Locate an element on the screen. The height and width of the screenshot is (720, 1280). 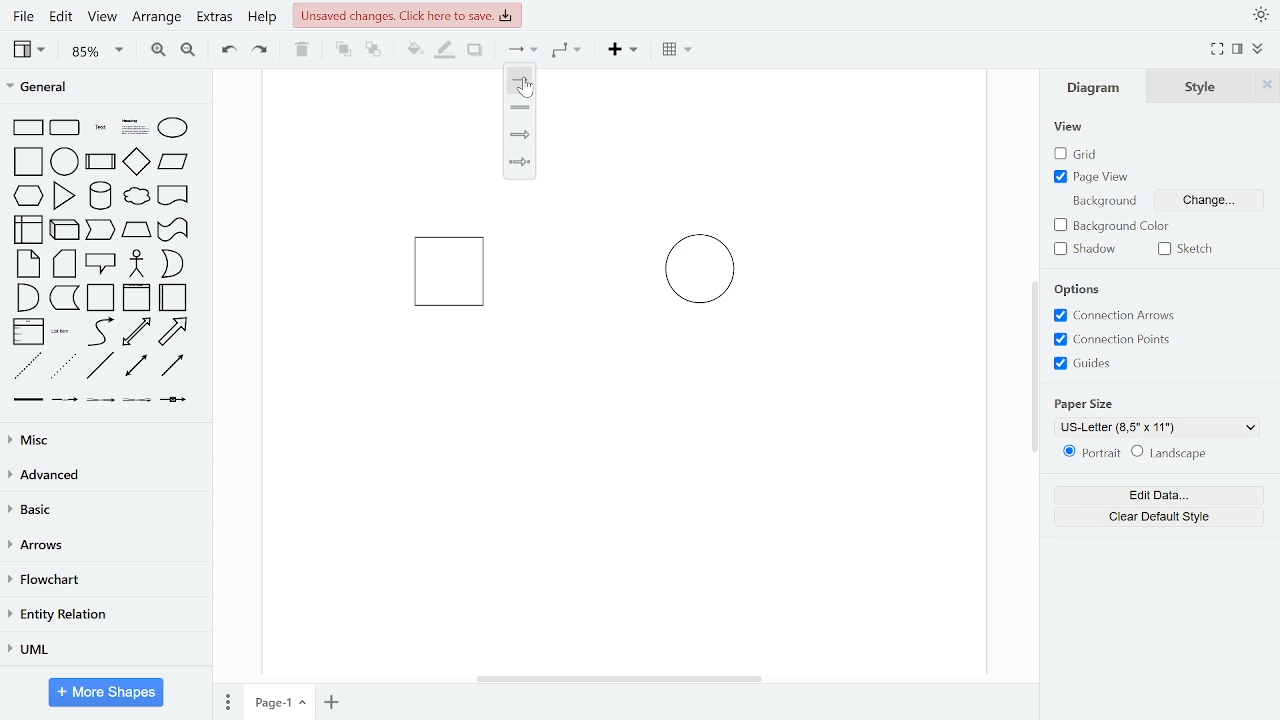
document is located at coordinates (174, 194).